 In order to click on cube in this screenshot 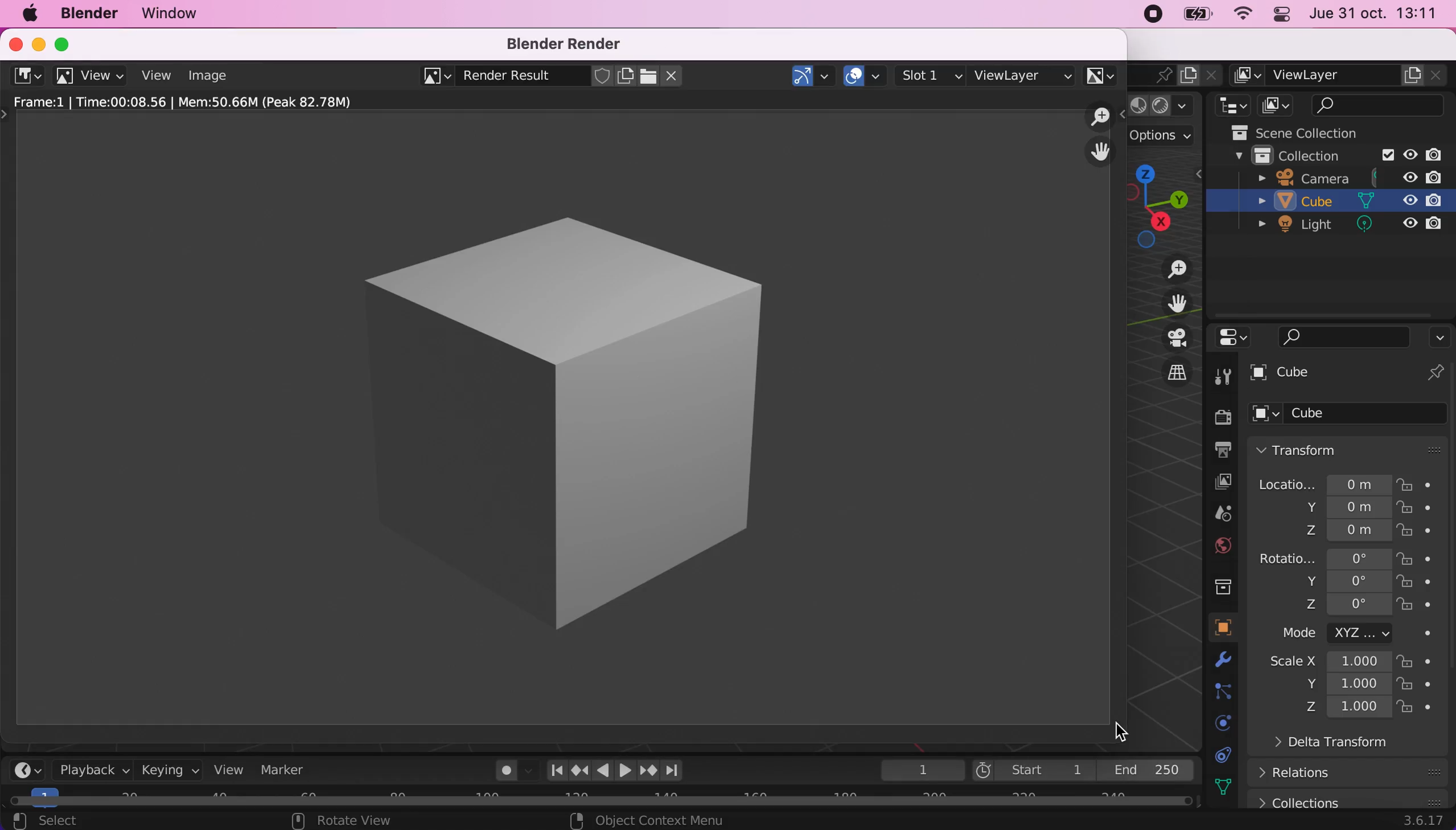, I will do `click(1336, 203)`.